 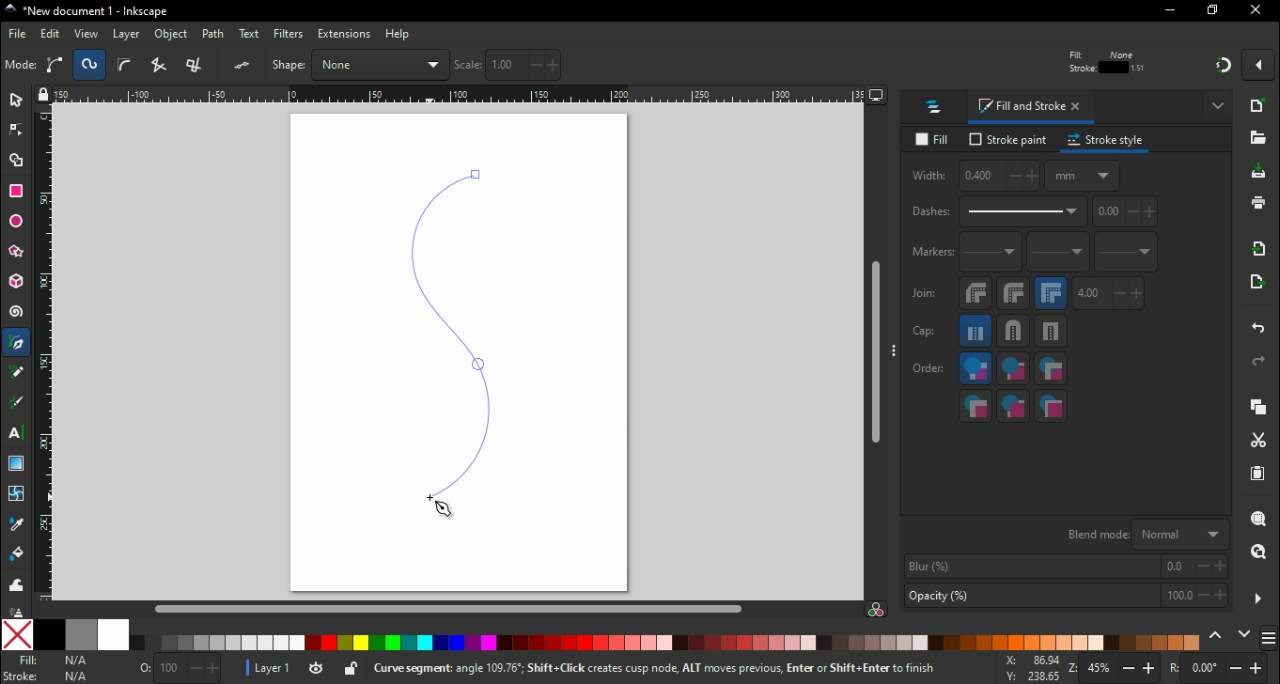 What do you see at coordinates (47, 635) in the screenshot?
I see `black` at bounding box center [47, 635].